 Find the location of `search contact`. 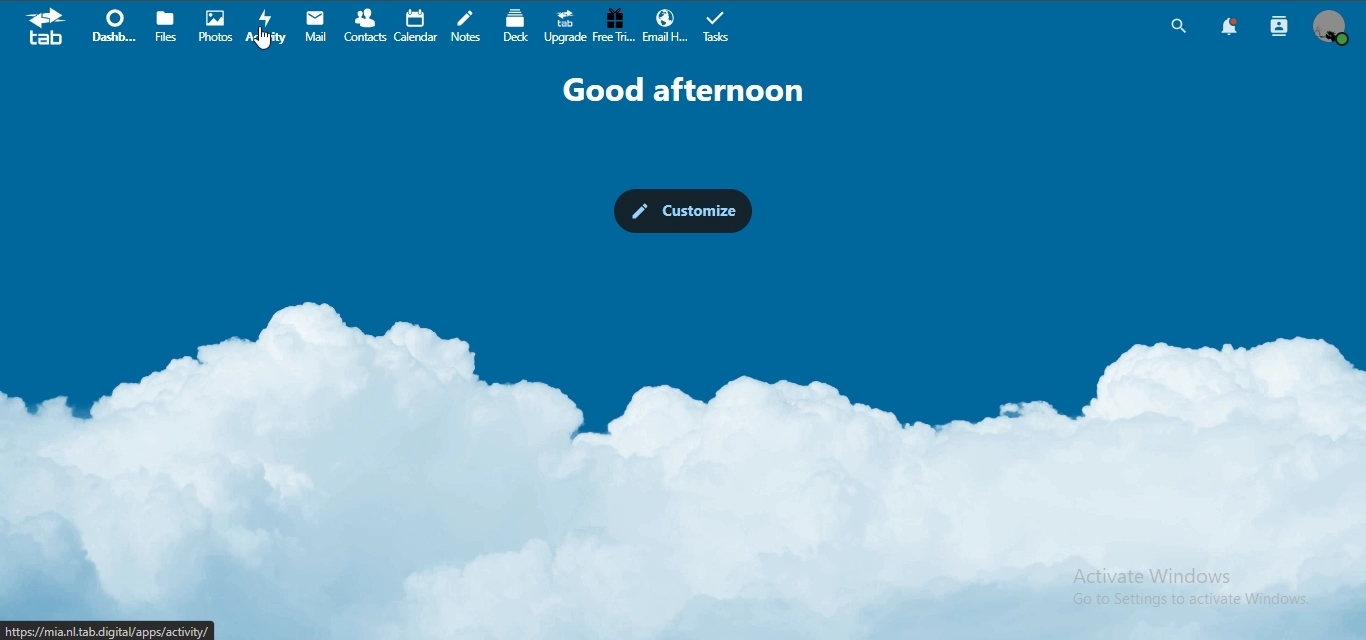

search contact is located at coordinates (1275, 27).